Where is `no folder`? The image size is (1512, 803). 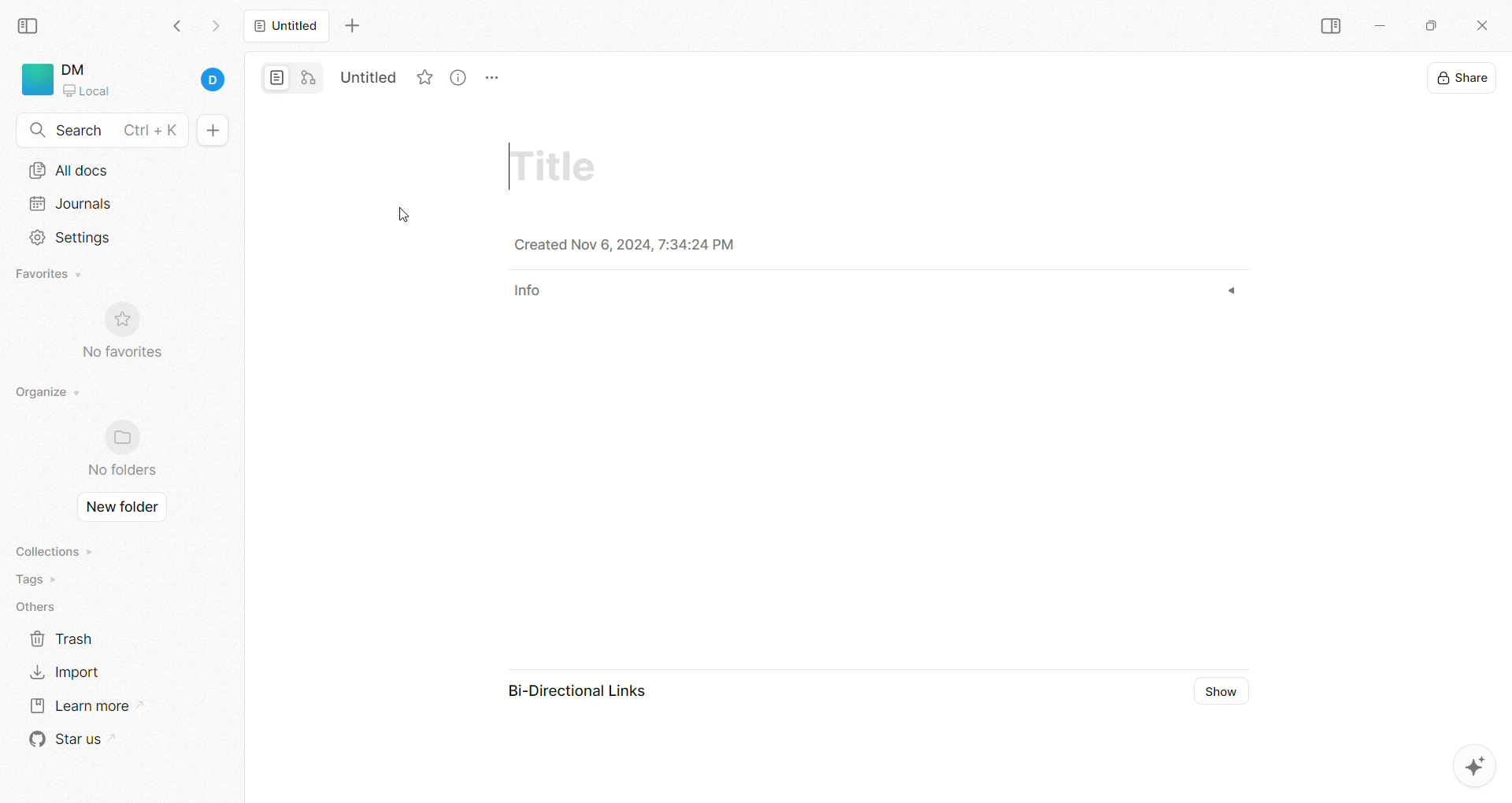
no folder is located at coordinates (115, 450).